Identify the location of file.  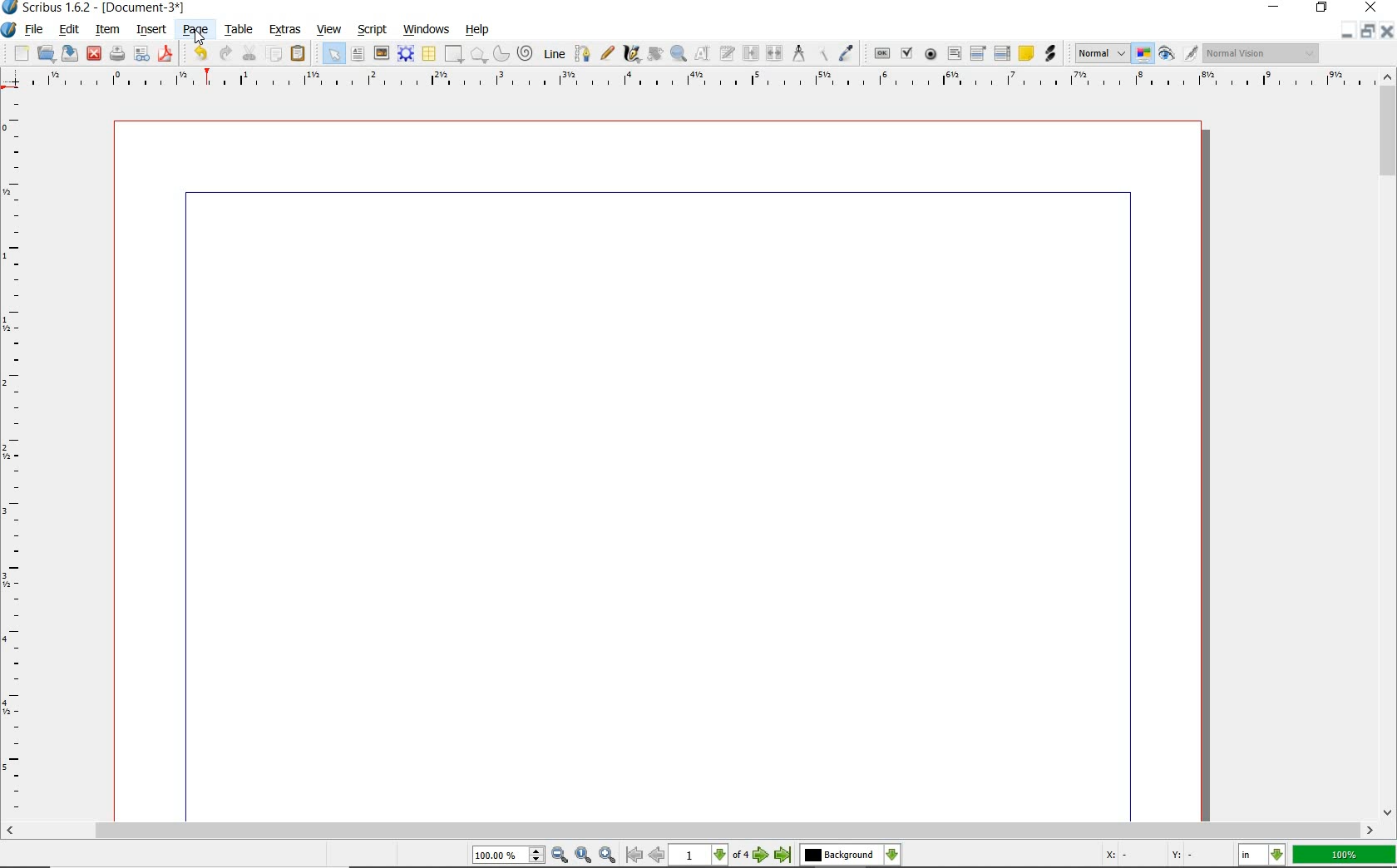
(36, 29).